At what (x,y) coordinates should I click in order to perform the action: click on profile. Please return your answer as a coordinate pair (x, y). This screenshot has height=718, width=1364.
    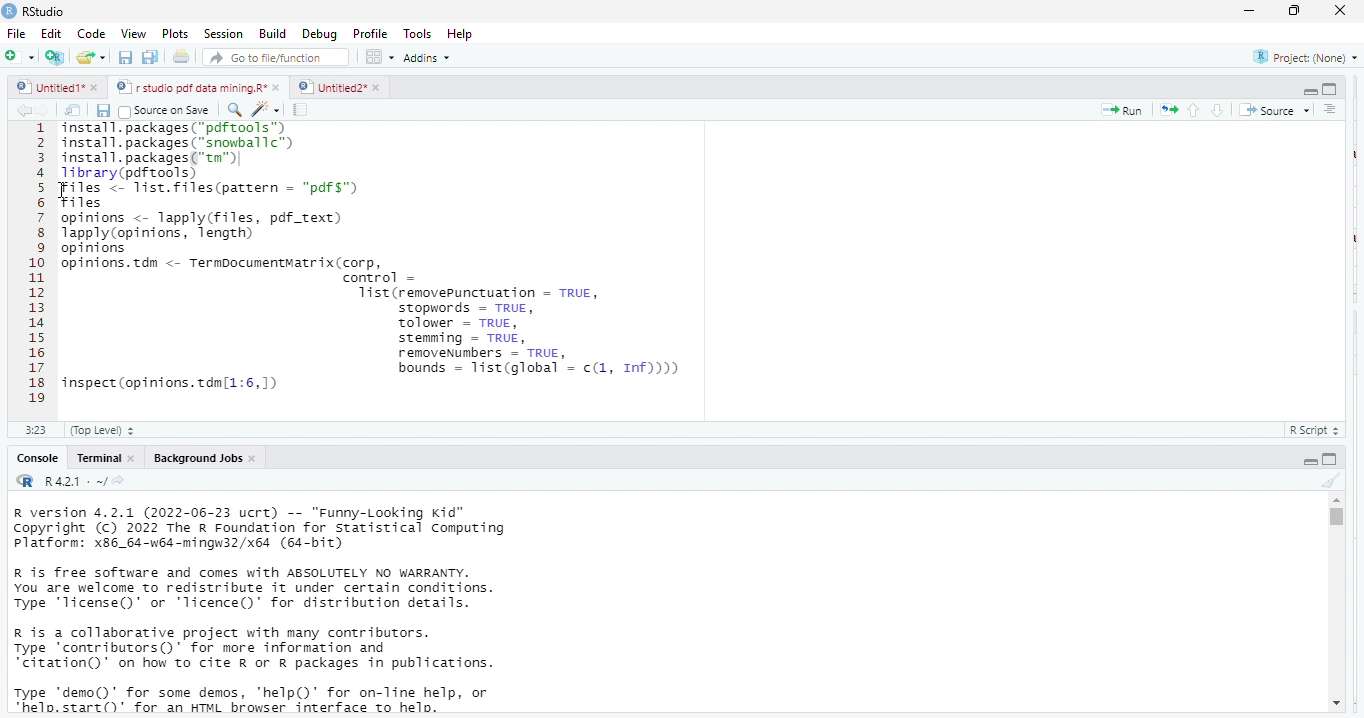
    Looking at the image, I should click on (370, 32).